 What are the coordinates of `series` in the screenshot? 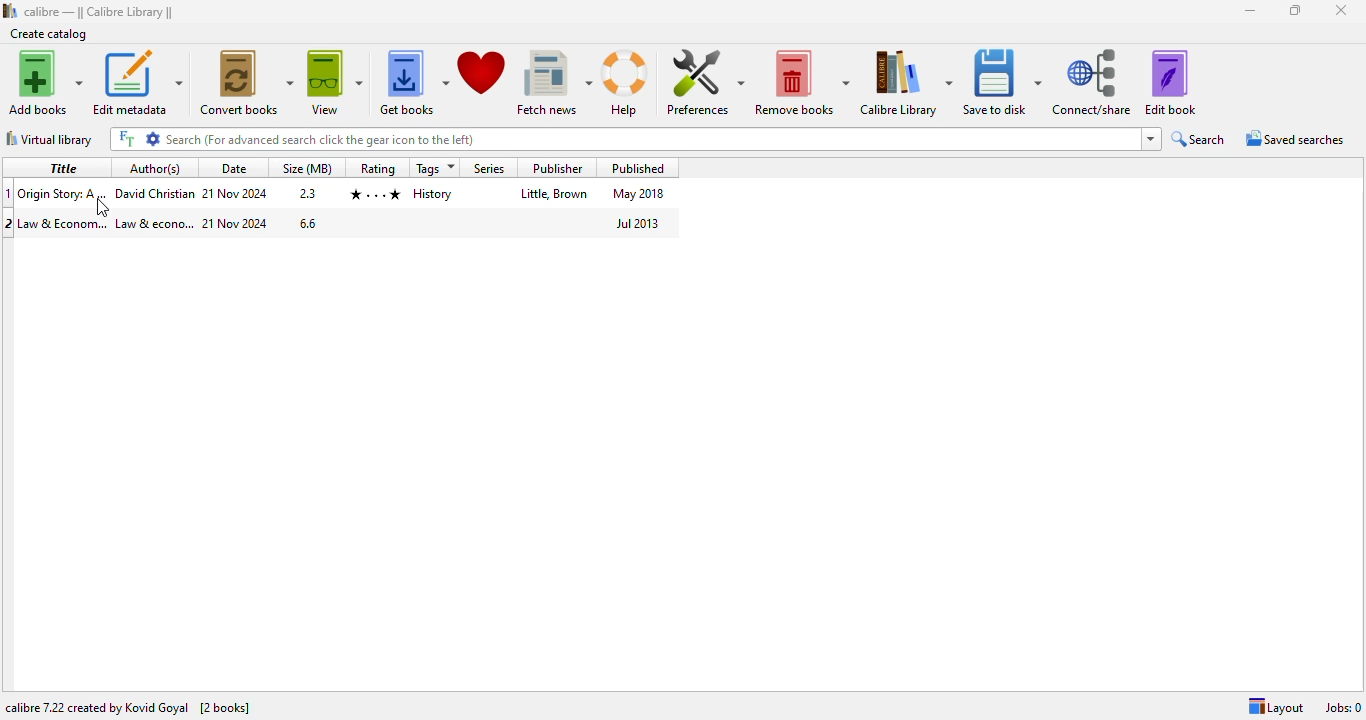 It's located at (487, 168).